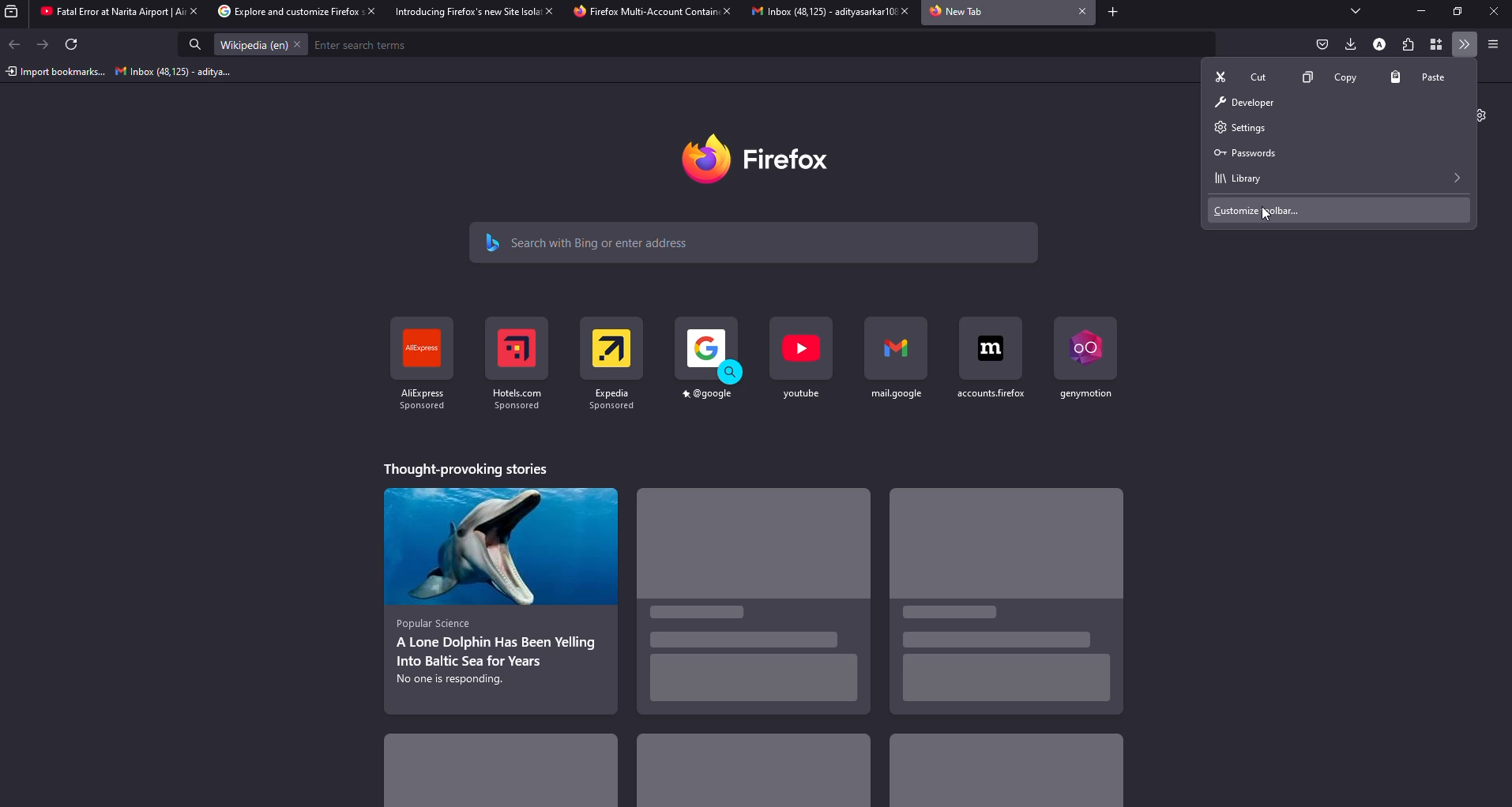  I want to click on tab, so click(959, 13).